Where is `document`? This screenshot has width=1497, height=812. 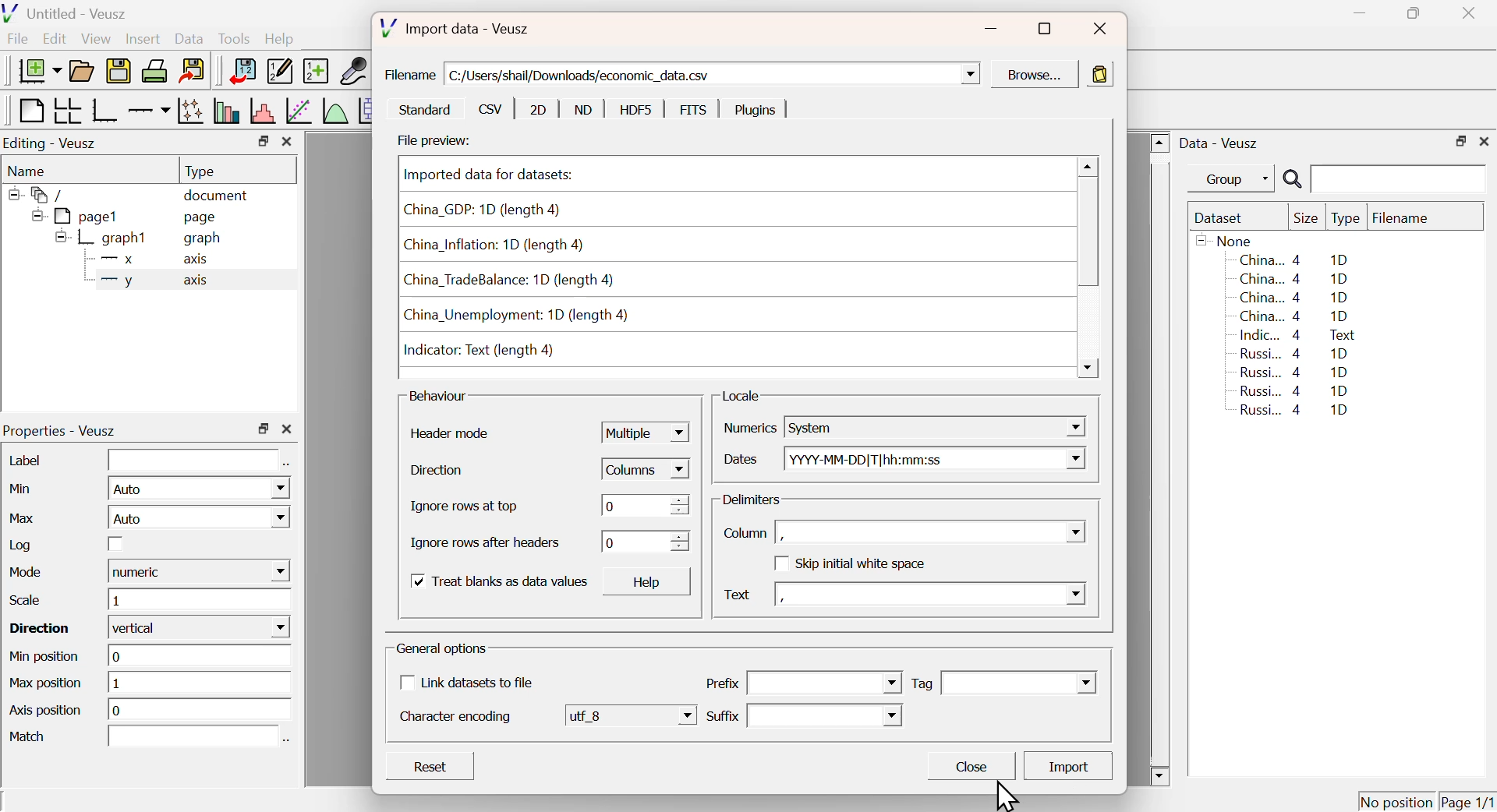
document is located at coordinates (217, 197).